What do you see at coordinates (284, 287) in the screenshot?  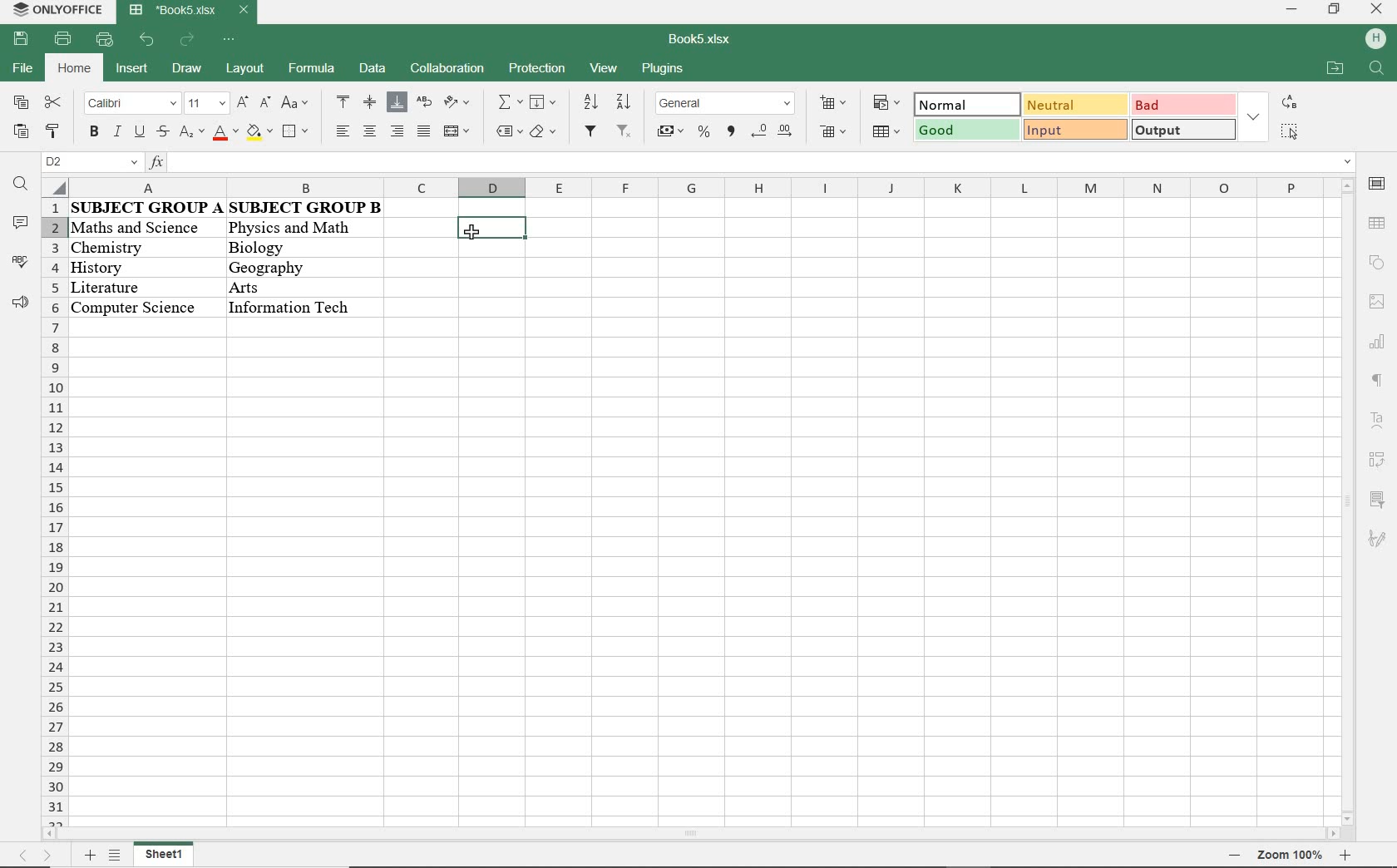 I see `arts` at bounding box center [284, 287].